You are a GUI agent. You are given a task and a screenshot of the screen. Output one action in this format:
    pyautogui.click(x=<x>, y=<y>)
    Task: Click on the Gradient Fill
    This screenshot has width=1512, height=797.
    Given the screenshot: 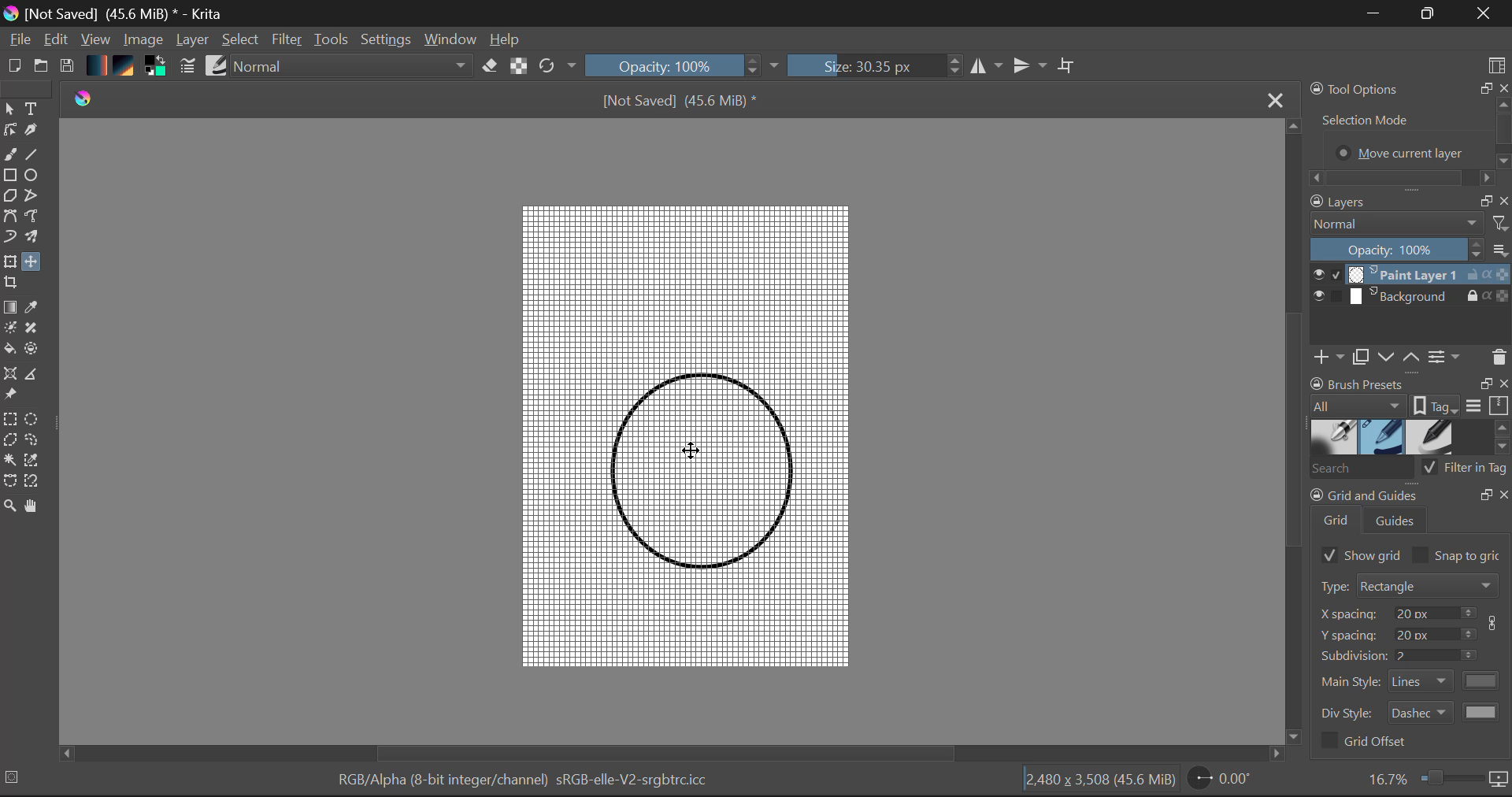 What is the action you would take?
    pyautogui.click(x=10, y=306)
    